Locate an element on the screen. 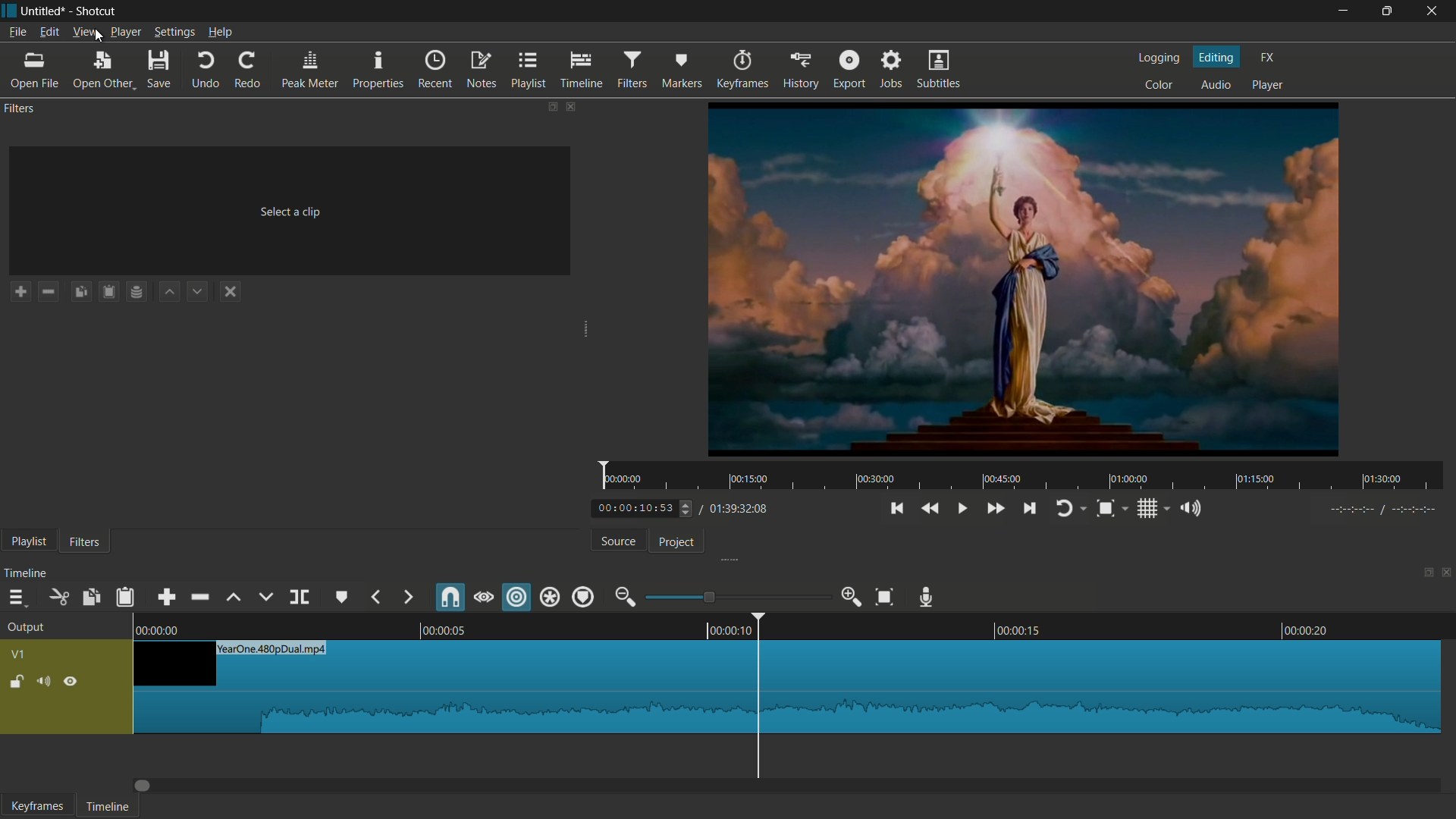 The height and width of the screenshot is (819, 1456). ripple is located at coordinates (517, 598).